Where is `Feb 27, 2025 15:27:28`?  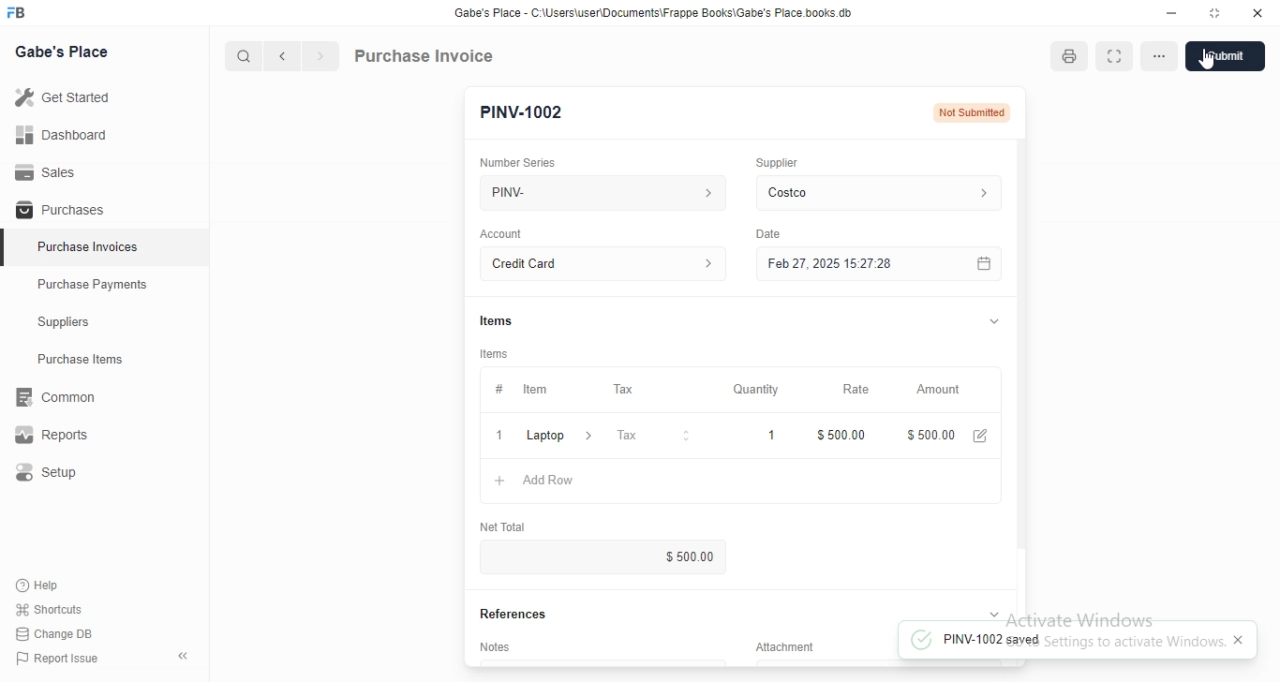 Feb 27, 2025 15:27:28 is located at coordinates (879, 263).